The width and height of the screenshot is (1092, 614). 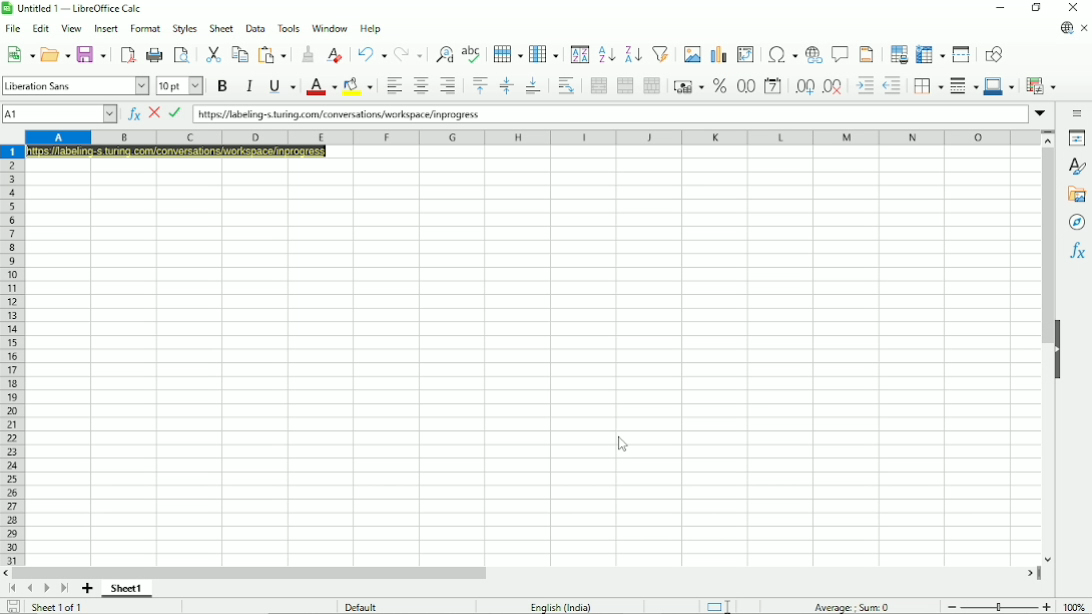 I want to click on View, so click(x=71, y=27).